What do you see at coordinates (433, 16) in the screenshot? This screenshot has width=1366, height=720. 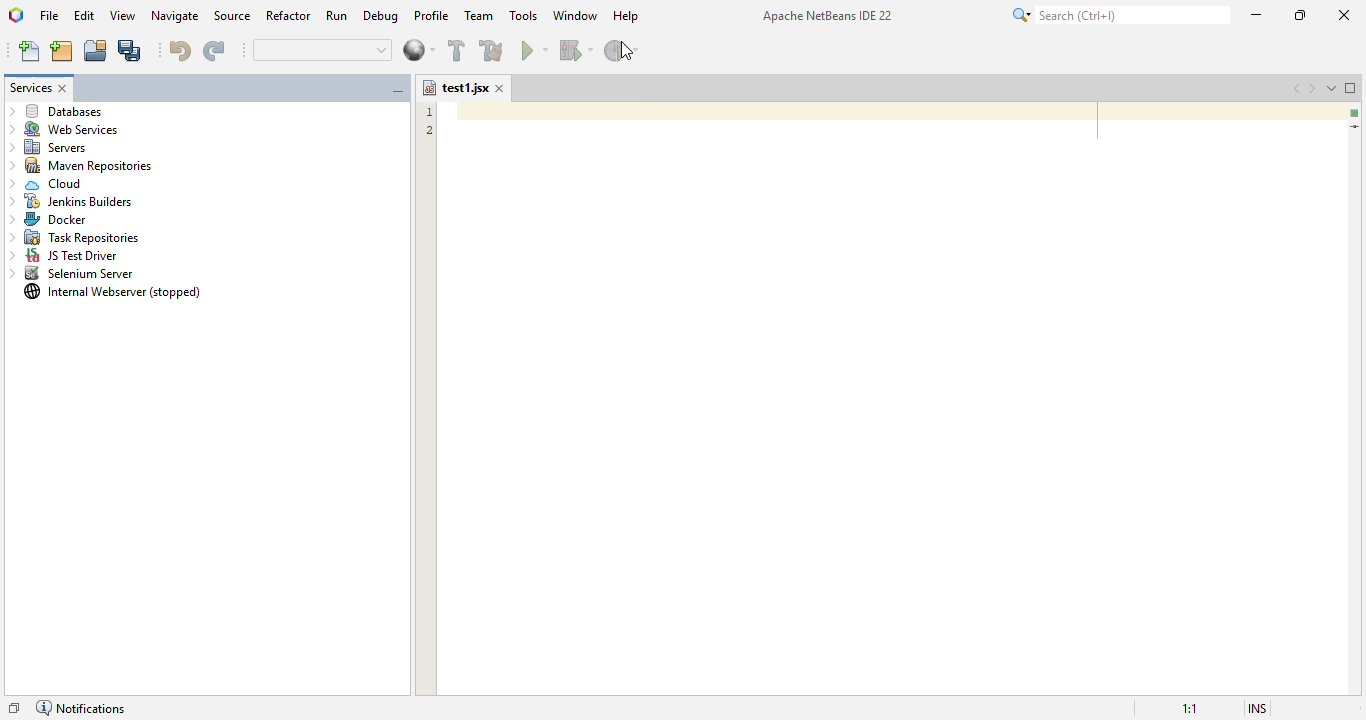 I see `profile` at bounding box center [433, 16].